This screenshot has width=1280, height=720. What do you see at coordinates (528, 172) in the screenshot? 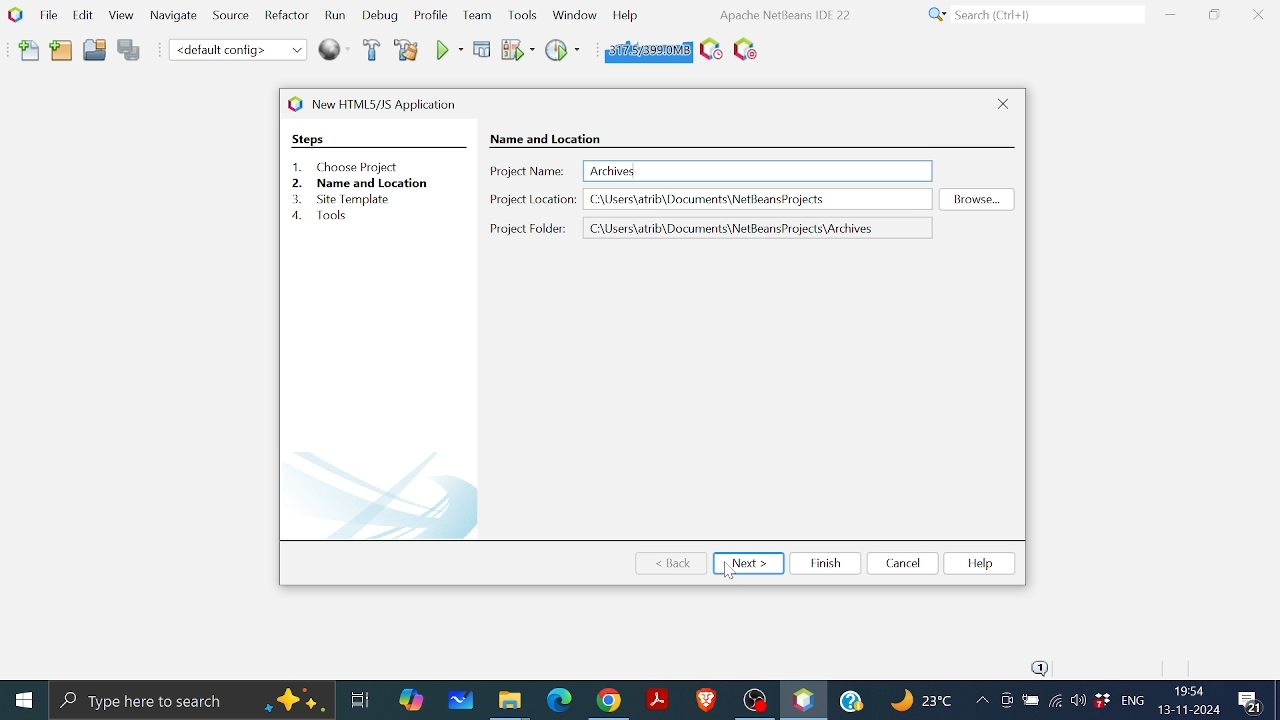
I see `Project Name:` at bounding box center [528, 172].